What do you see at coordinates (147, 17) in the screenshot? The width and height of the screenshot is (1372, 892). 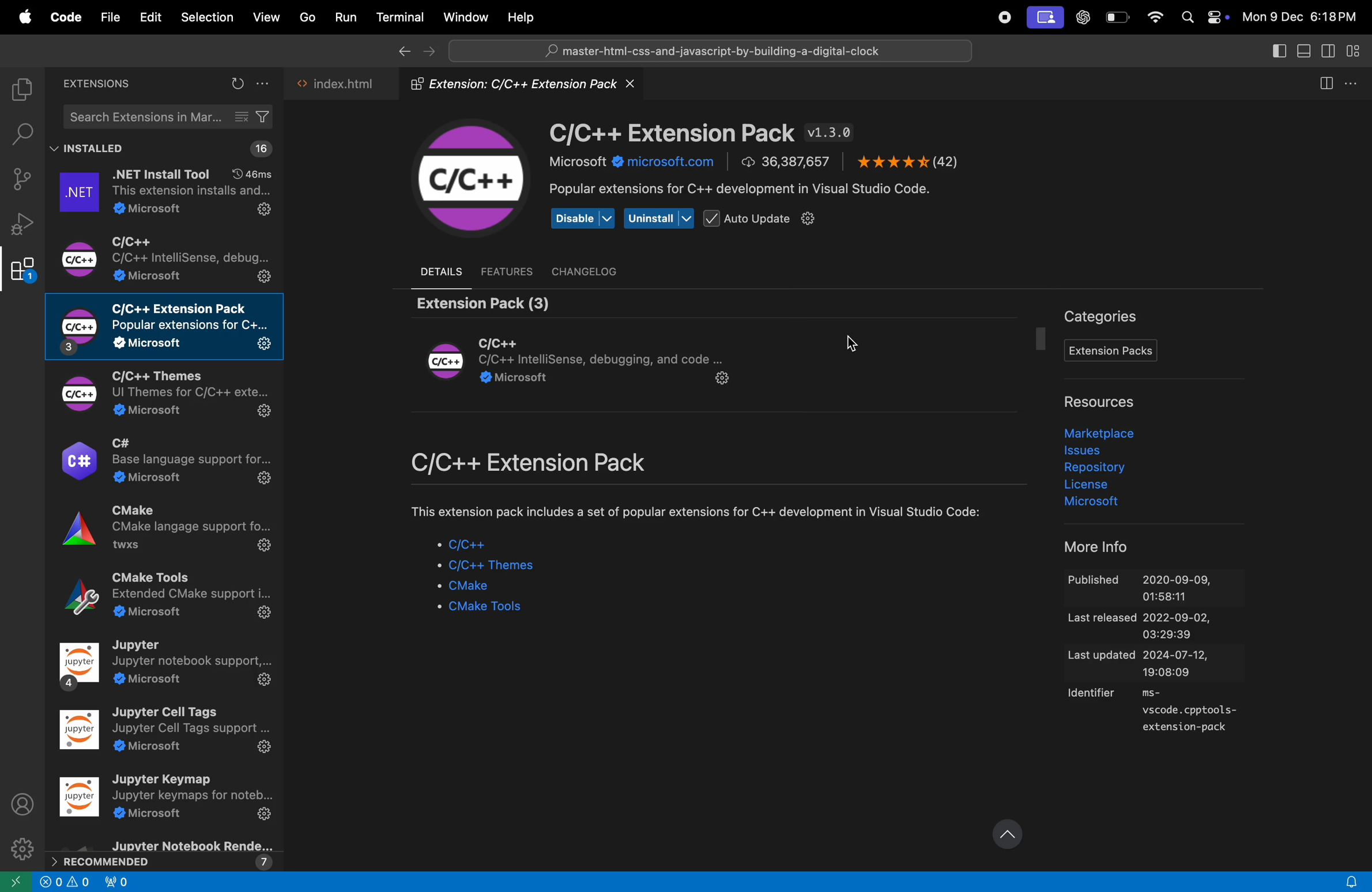 I see `Edit` at bounding box center [147, 17].